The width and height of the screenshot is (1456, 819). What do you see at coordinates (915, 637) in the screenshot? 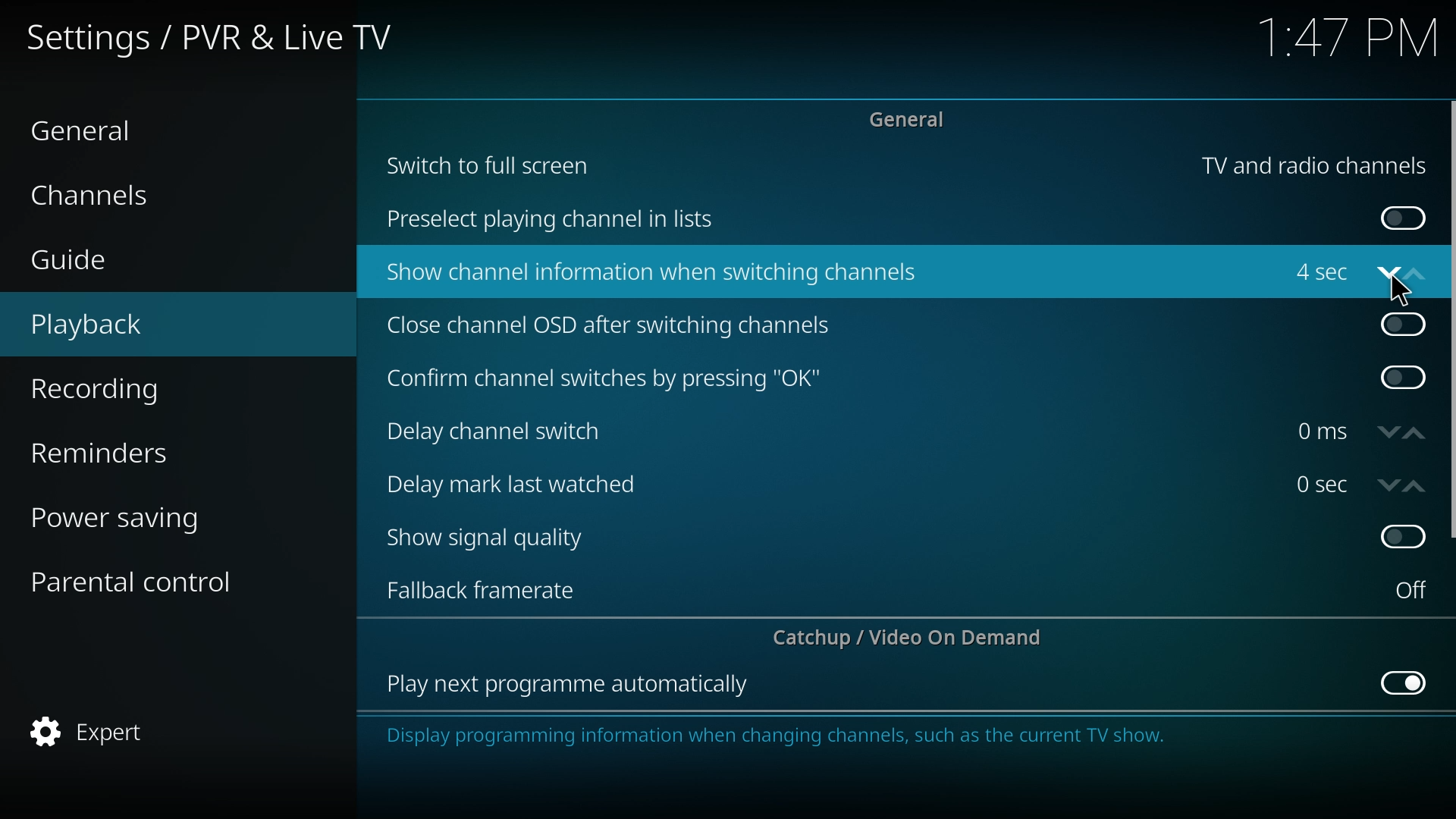
I see `catchup/video on demand` at bounding box center [915, 637].